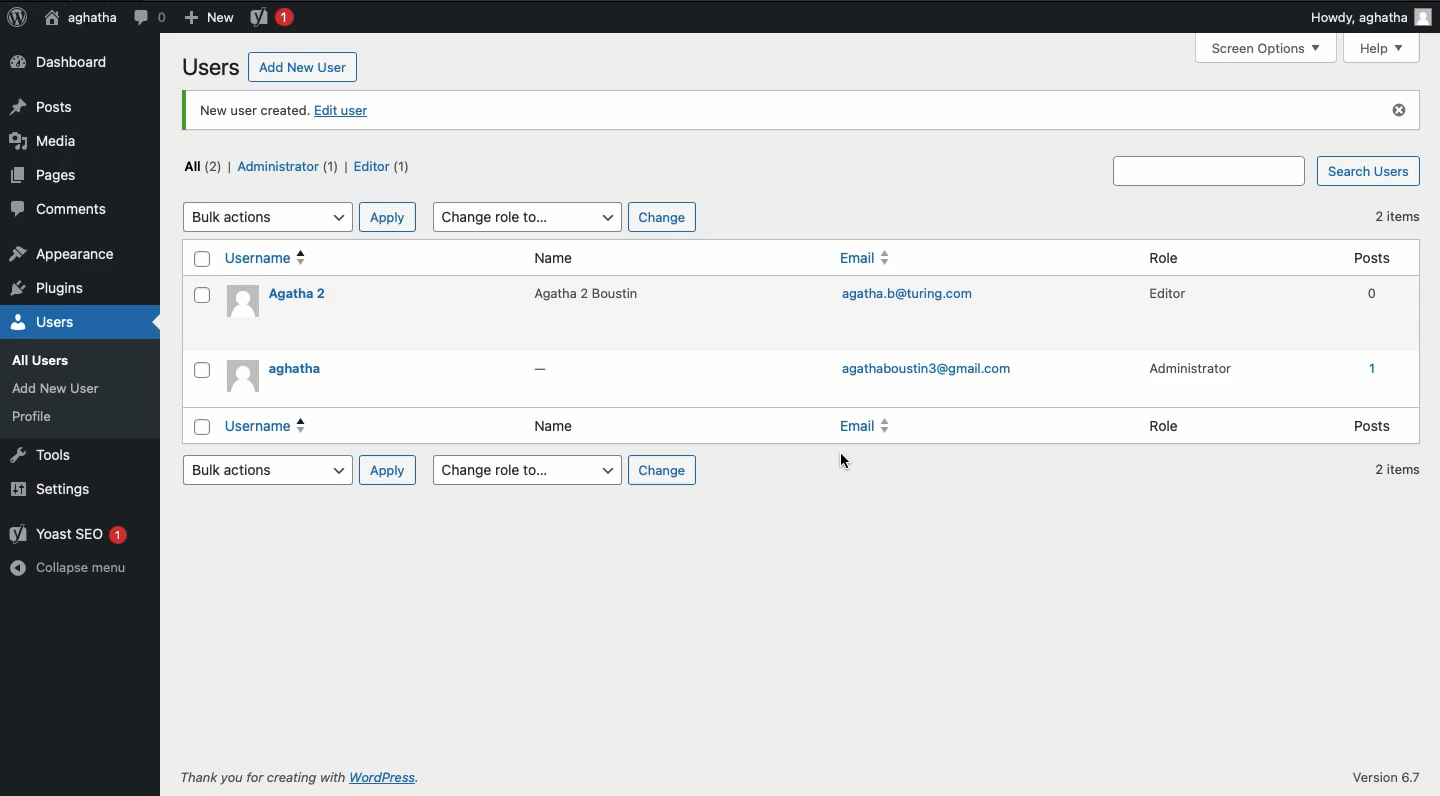  What do you see at coordinates (662, 470) in the screenshot?
I see `Change` at bounding box center [662, 470].